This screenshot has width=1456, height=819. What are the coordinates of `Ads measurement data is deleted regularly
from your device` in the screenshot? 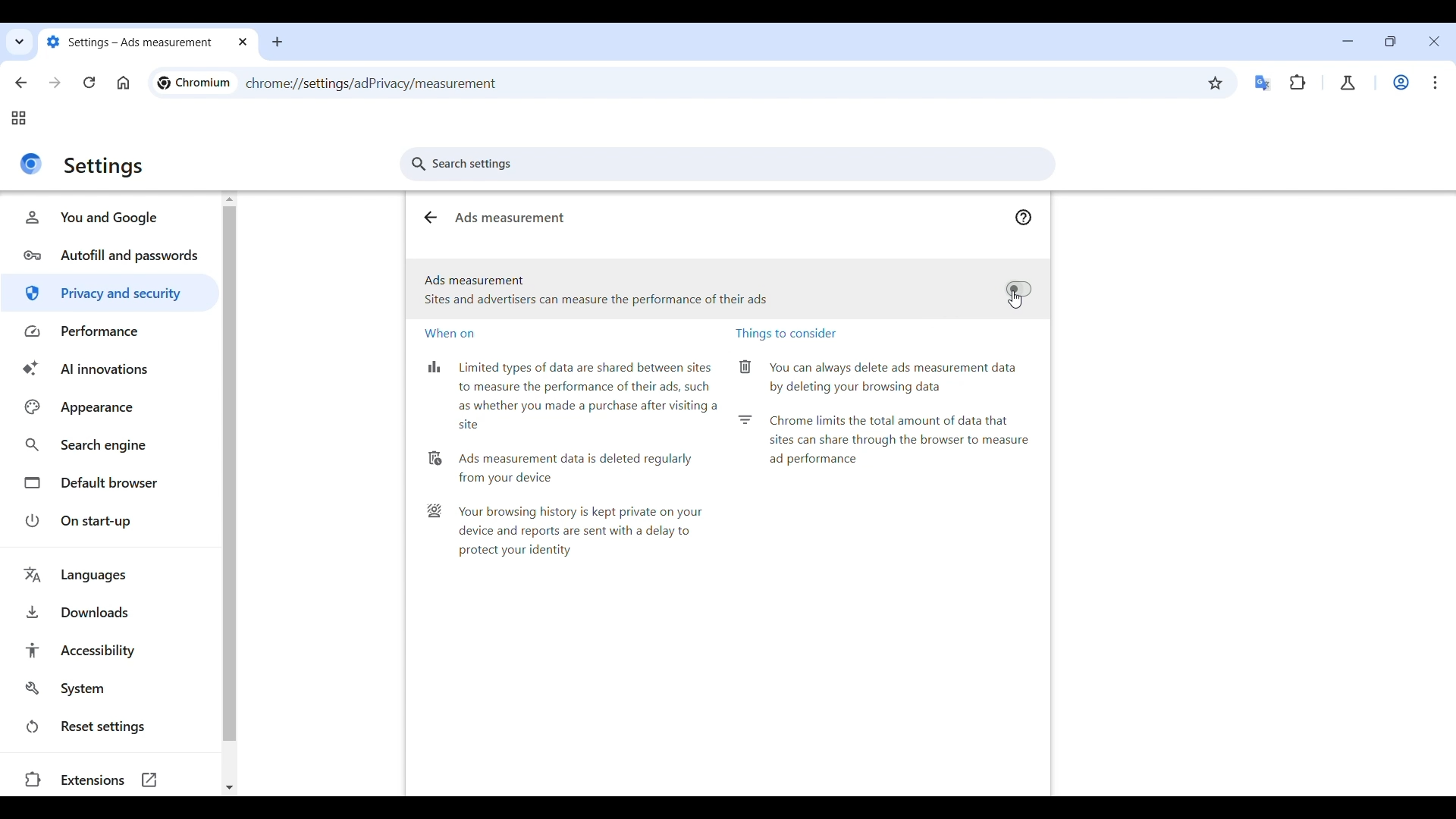 It's located at (564, 467).